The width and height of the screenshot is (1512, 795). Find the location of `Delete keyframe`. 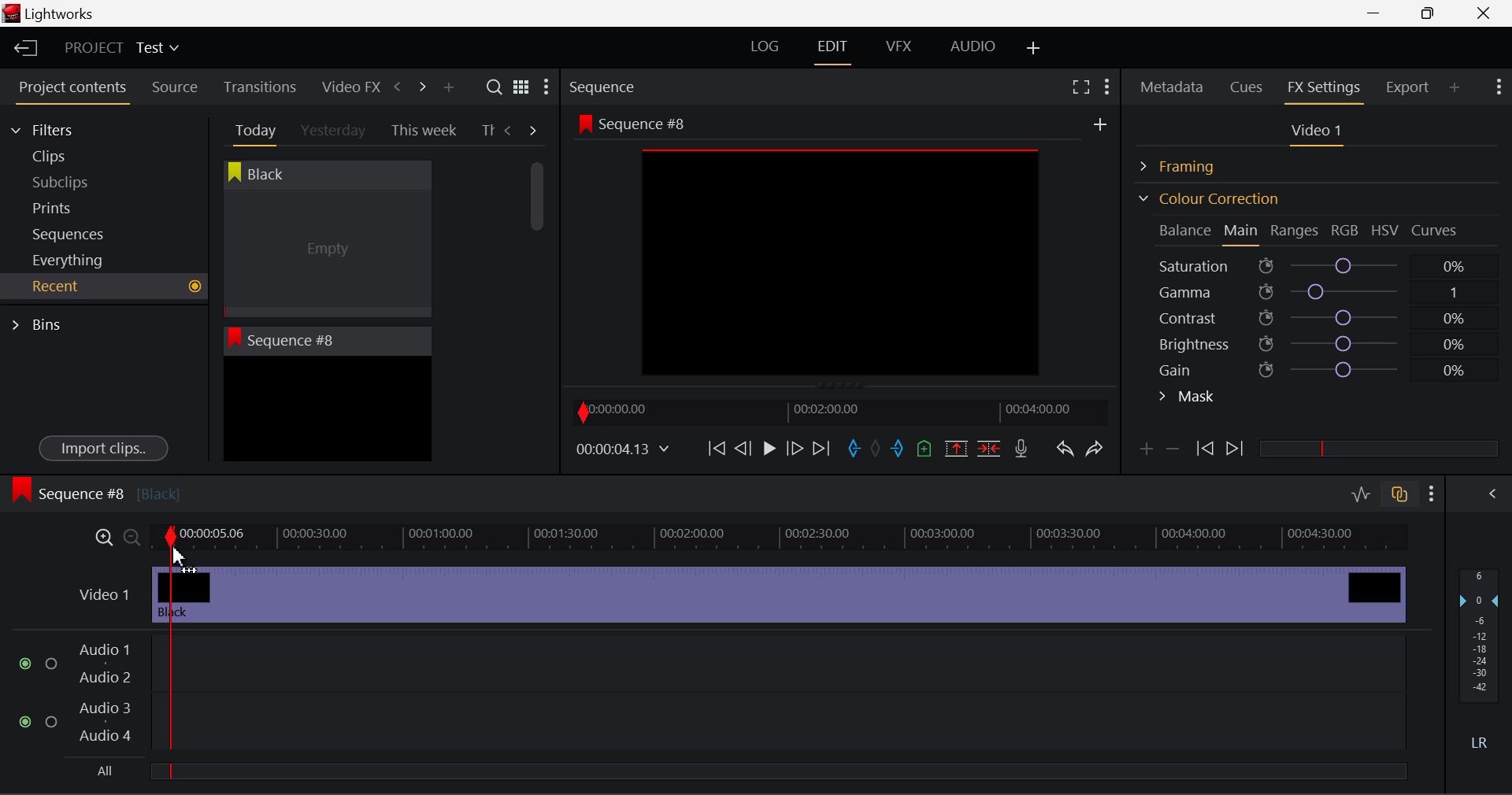

Delete keyframe is located at coordinates (1173, 452).